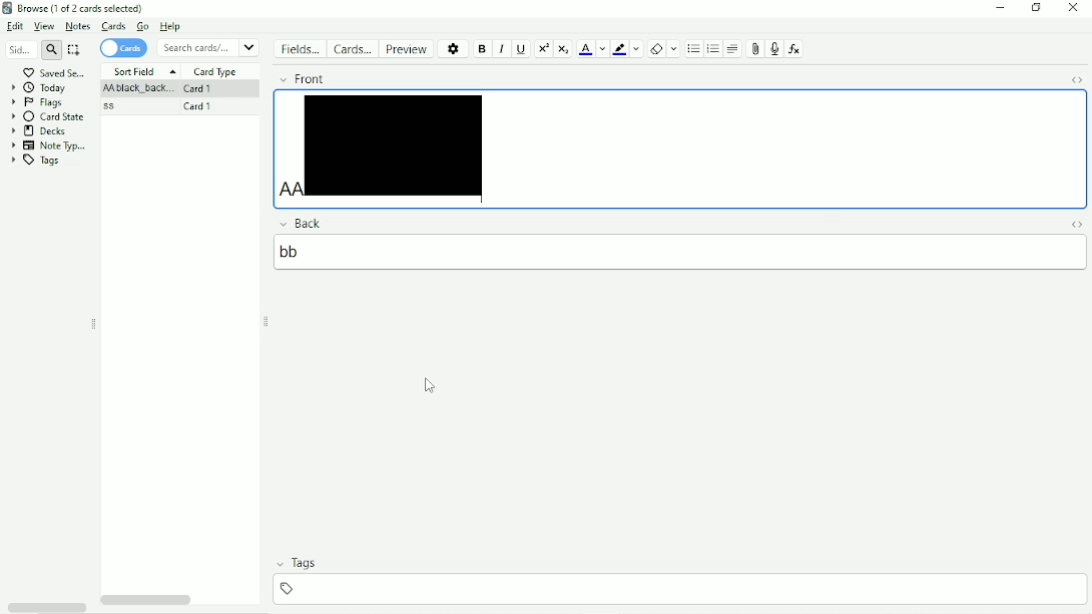 This screenshot has height=614, width=1092. What do you see at coordinates (201, 108) in the screenshot?
I see `Card 1` at bounding box center [201, 108].